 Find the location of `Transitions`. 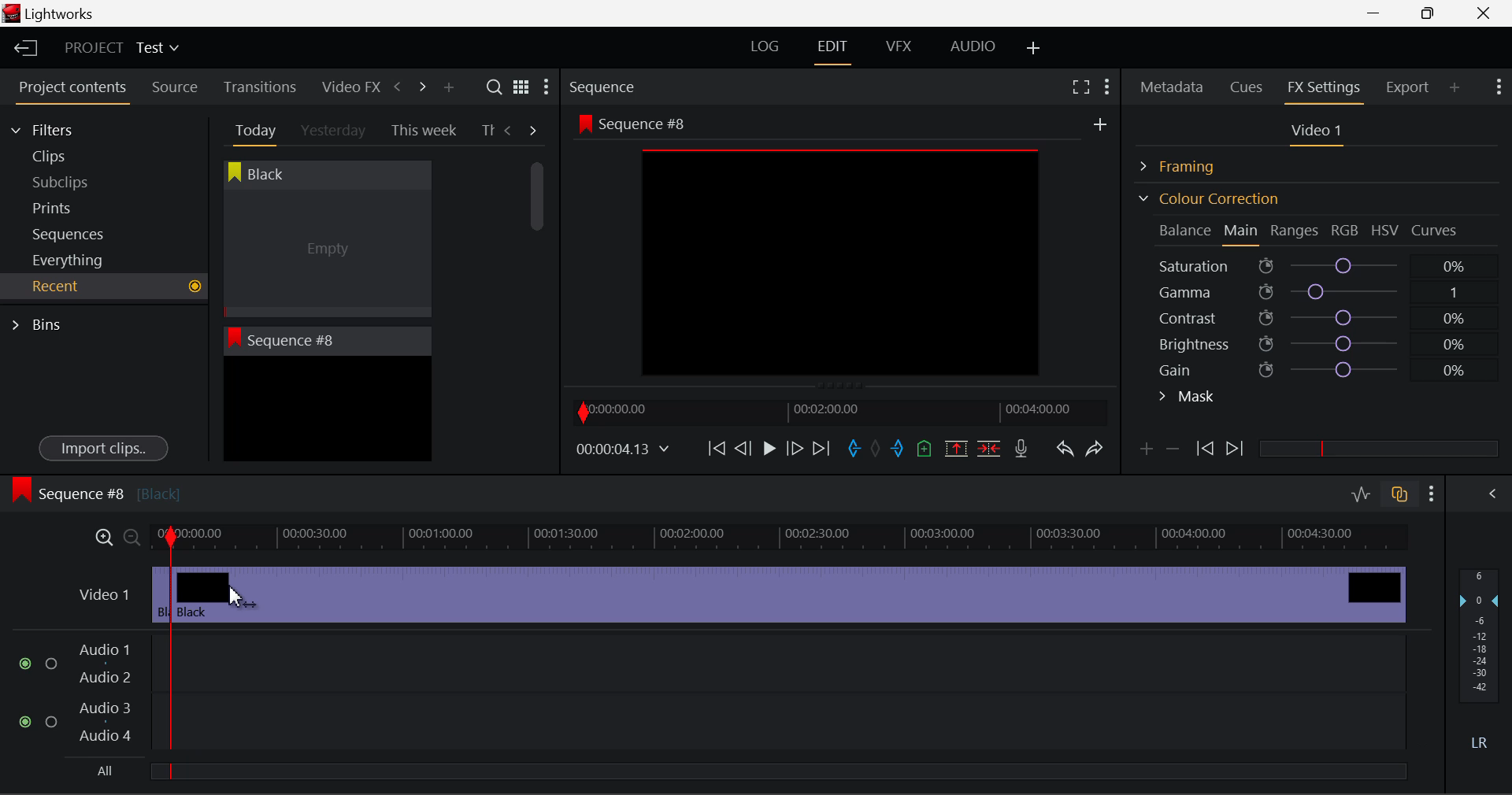

Transitions is located at coordinates (260, 87).